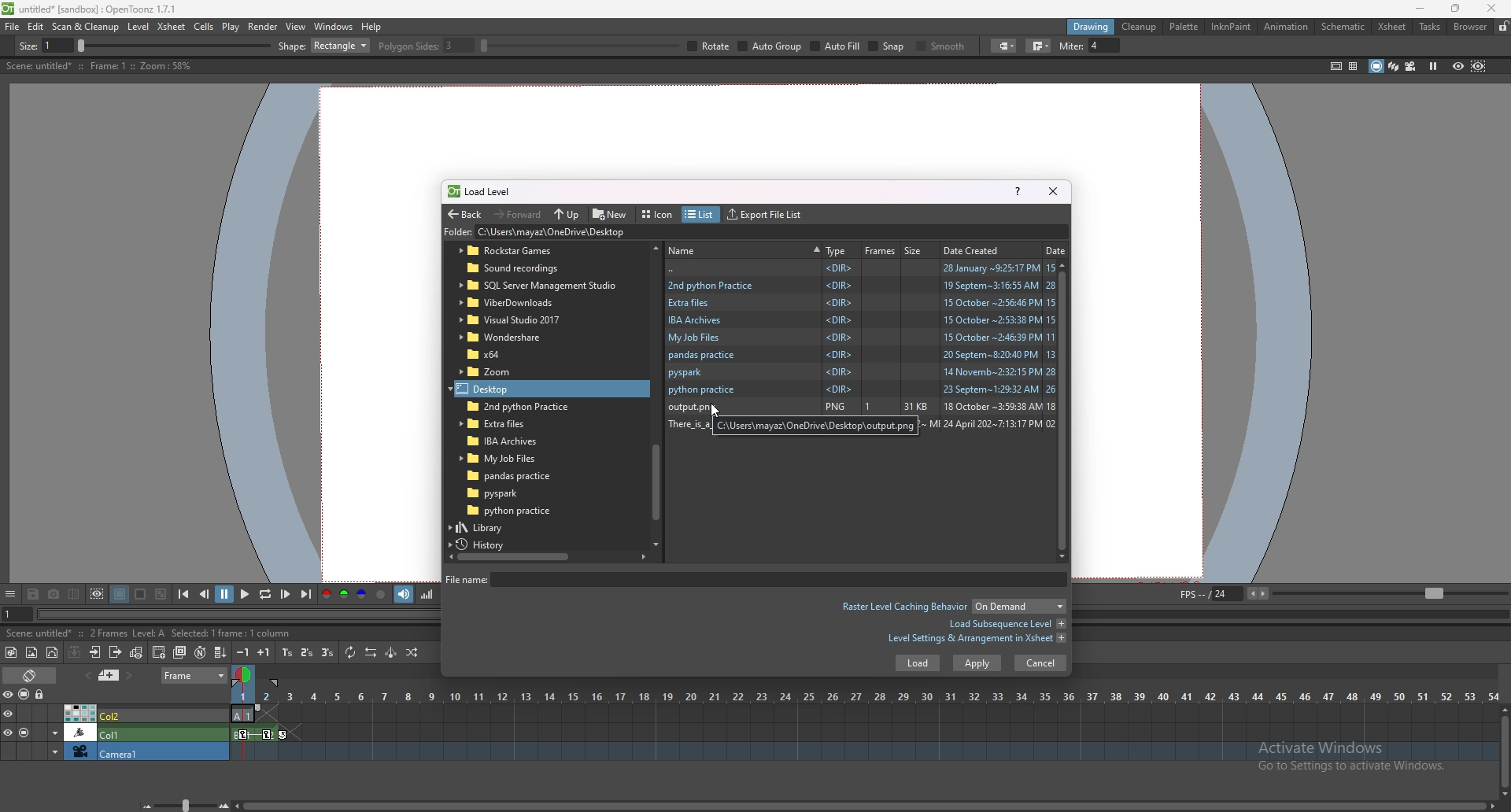 The height and width of the screenshot is (812, 1511). Describe the element at coordinates (242, 612) in the screenshot. I see `animation player` at that location.